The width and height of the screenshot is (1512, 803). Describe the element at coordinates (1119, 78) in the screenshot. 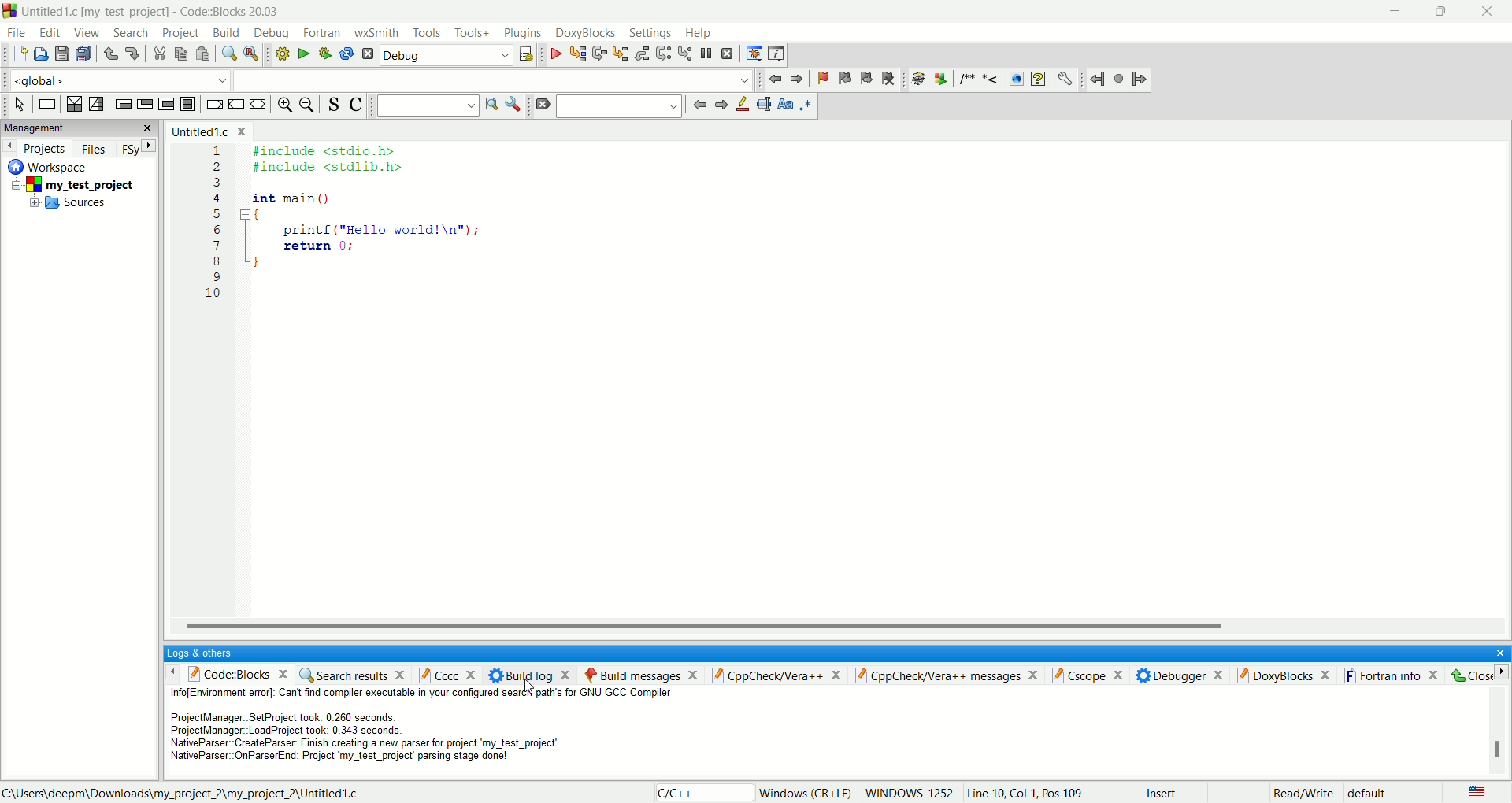

I see `last jump` at that location.